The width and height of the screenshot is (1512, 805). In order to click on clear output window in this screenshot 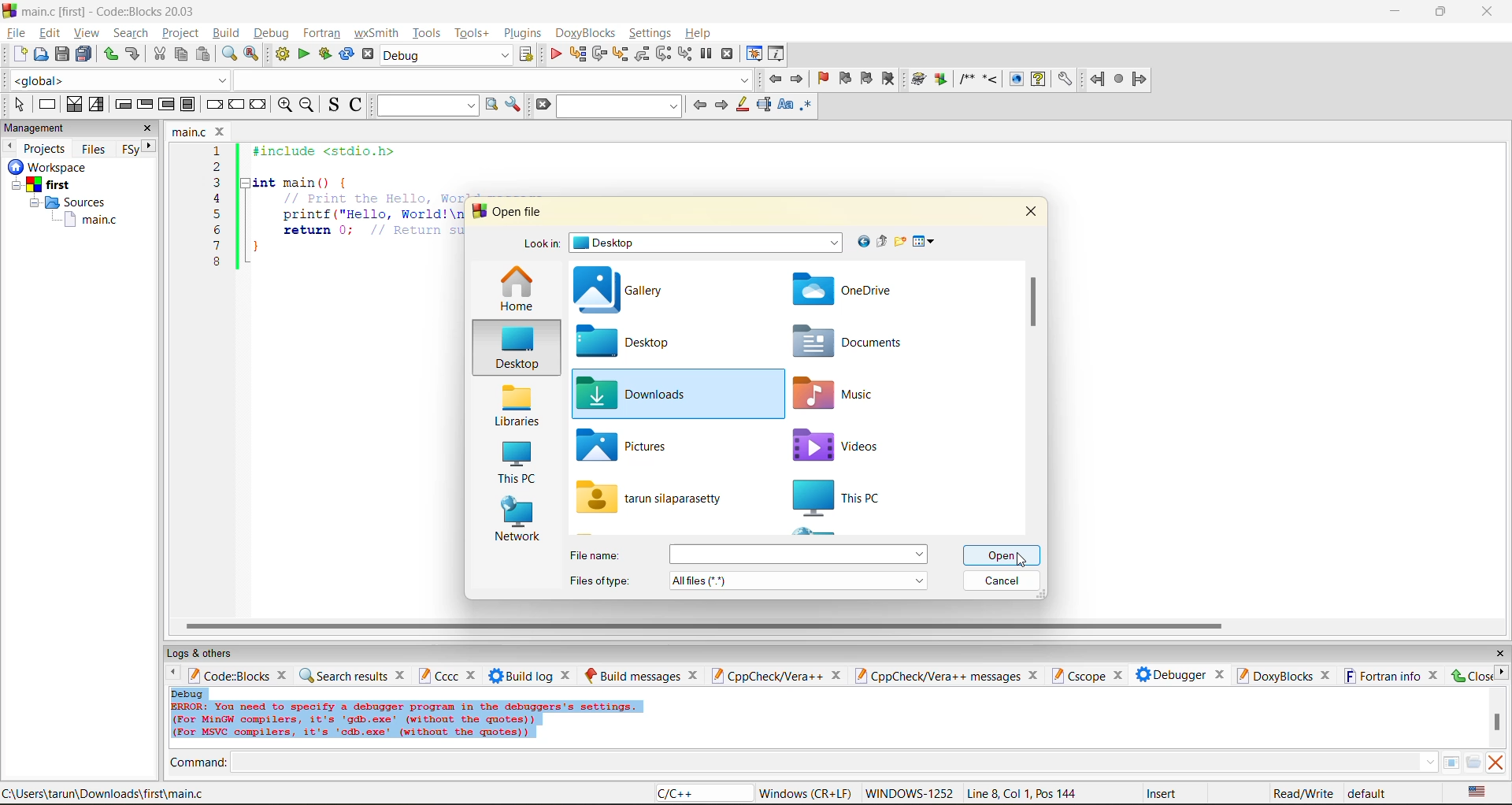, I will do `click(1495, 762)`.